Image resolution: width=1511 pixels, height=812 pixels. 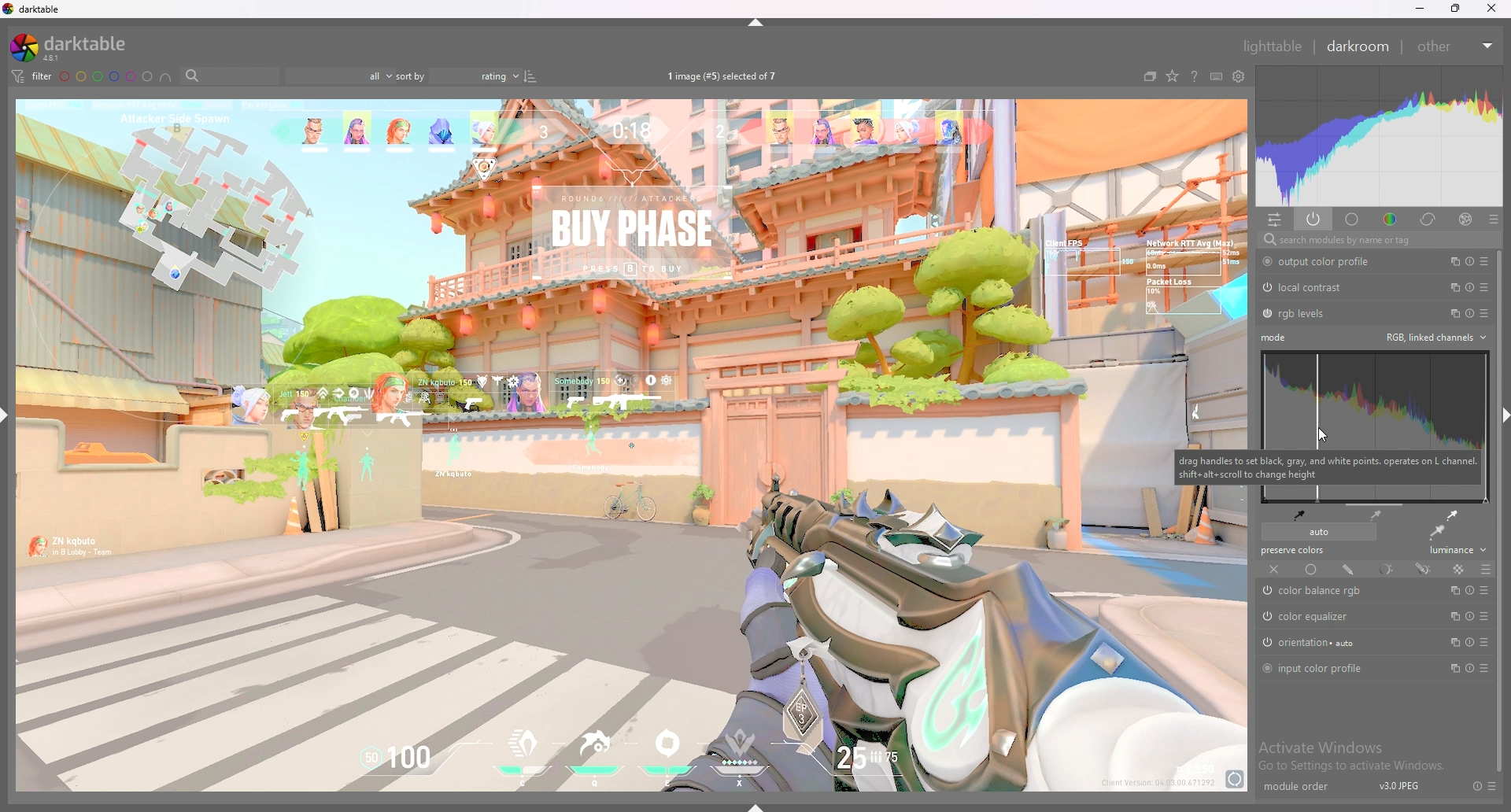 I want to click on apply auto, so click(x=1436, y=533).